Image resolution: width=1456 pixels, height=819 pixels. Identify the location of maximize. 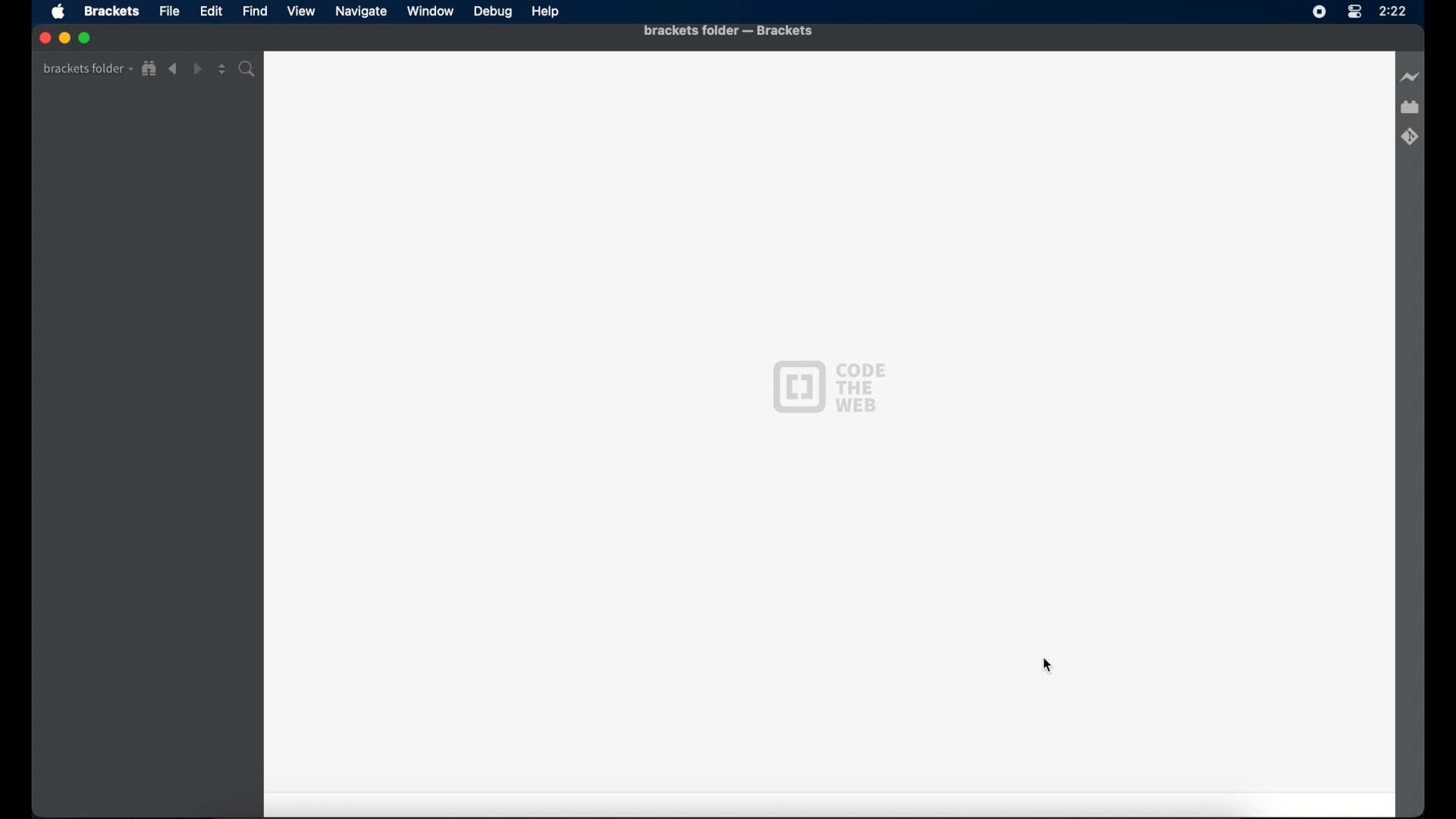
(86, 39).